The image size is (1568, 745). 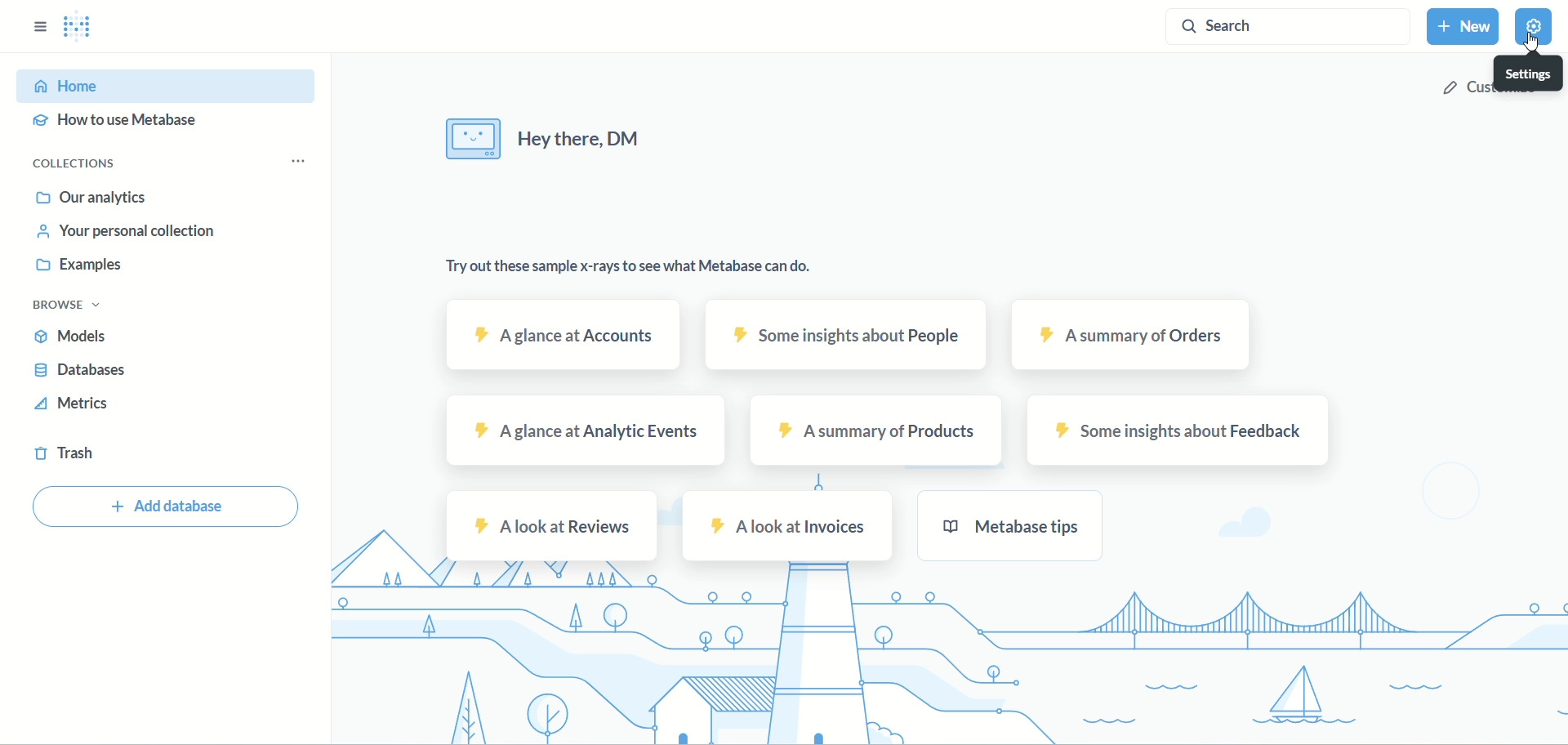 I want to click on our analytics, so click(x=87, y=198).